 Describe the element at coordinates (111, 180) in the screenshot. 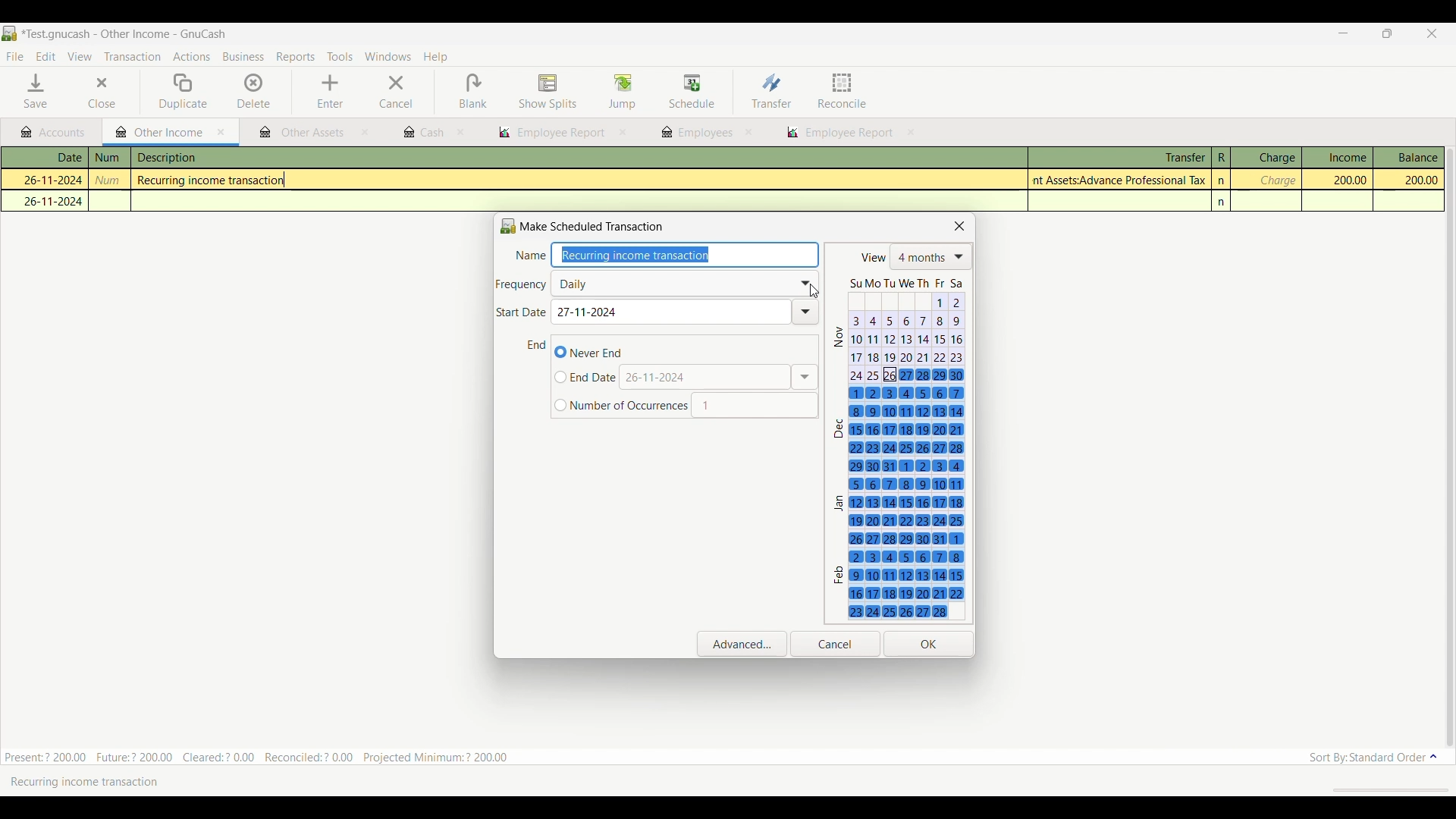

I see `num` at that location.